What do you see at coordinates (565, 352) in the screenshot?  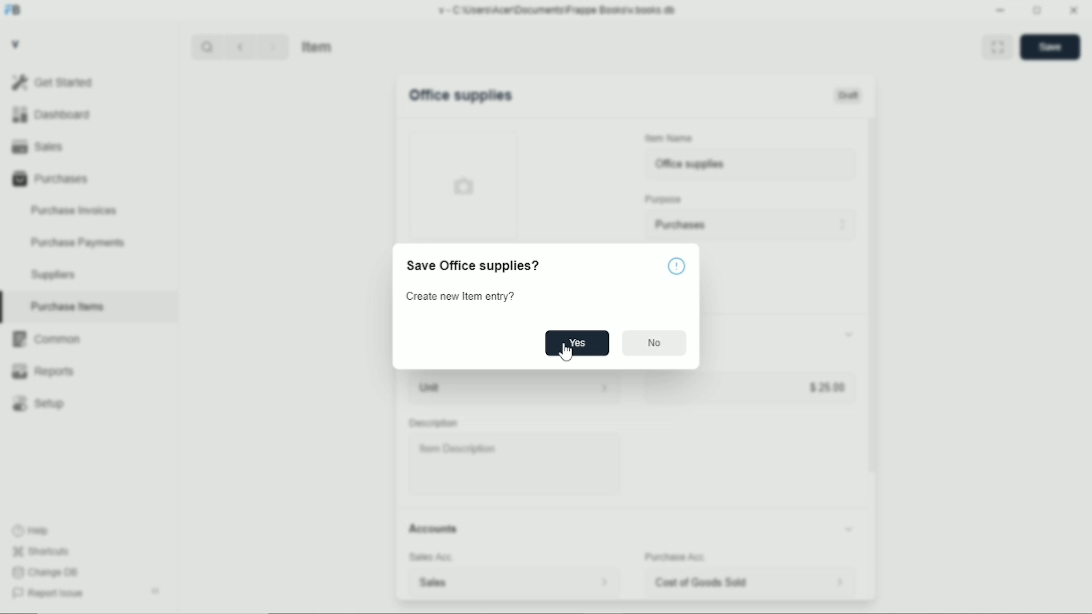 I see `cursor` at bounding box center [565, 352].